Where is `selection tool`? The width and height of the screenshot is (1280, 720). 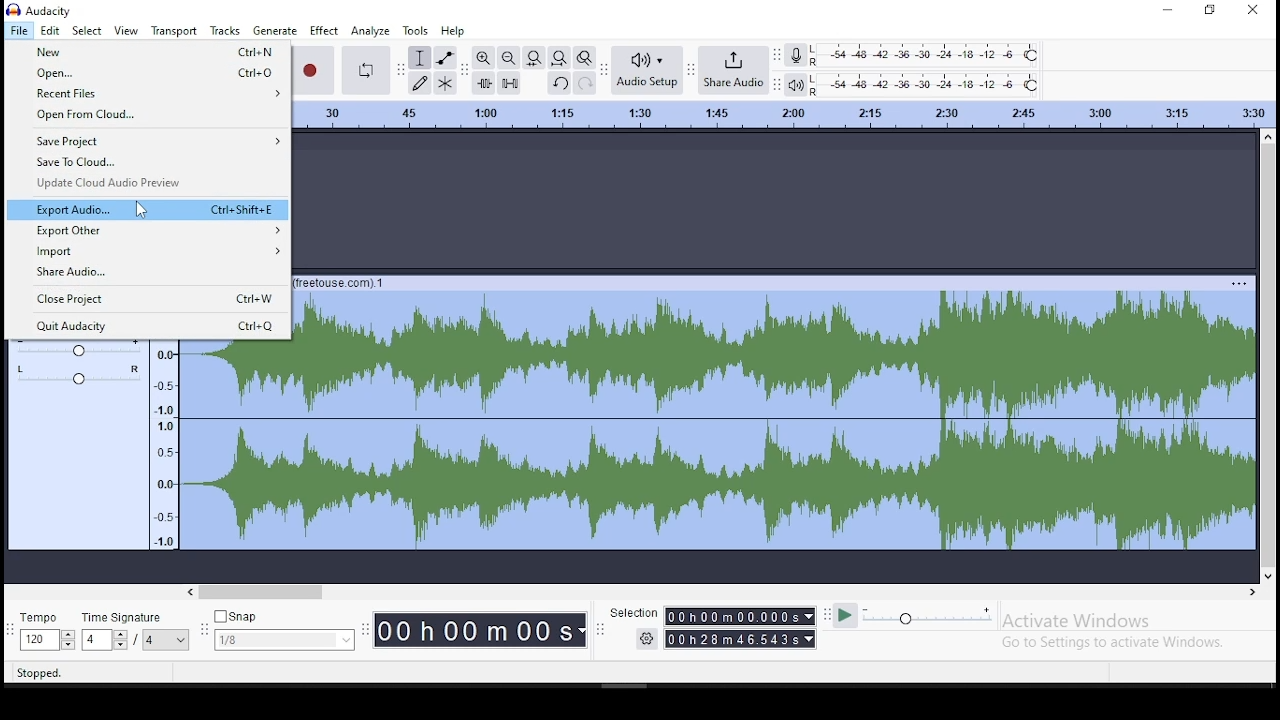
selection tool is located at coordinates (420, 58).